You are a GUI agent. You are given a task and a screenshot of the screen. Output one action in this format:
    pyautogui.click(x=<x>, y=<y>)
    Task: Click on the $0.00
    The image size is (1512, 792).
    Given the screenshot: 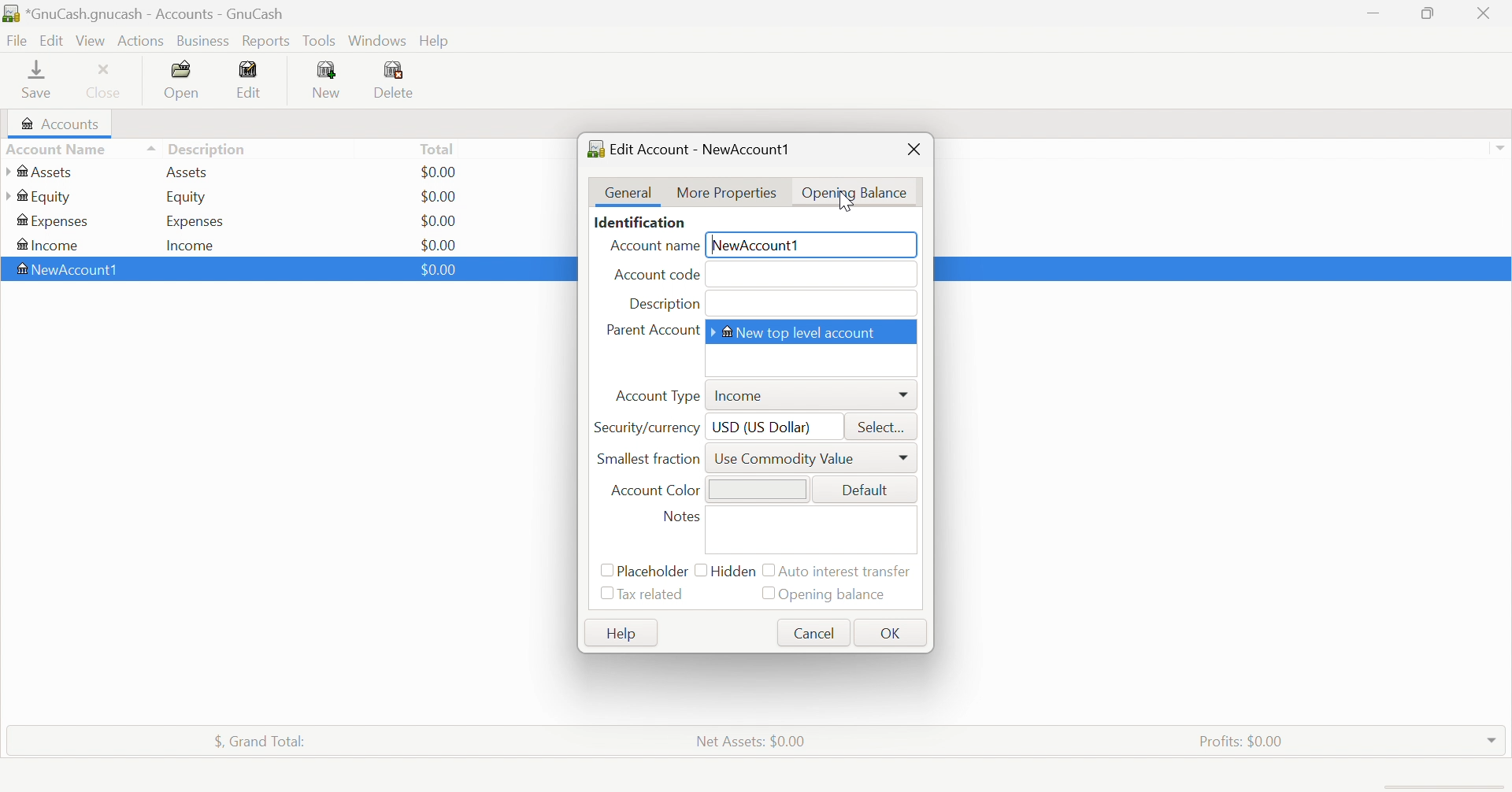 What is the action you would take?
    pyautogui.click(x=442, y=195)
    